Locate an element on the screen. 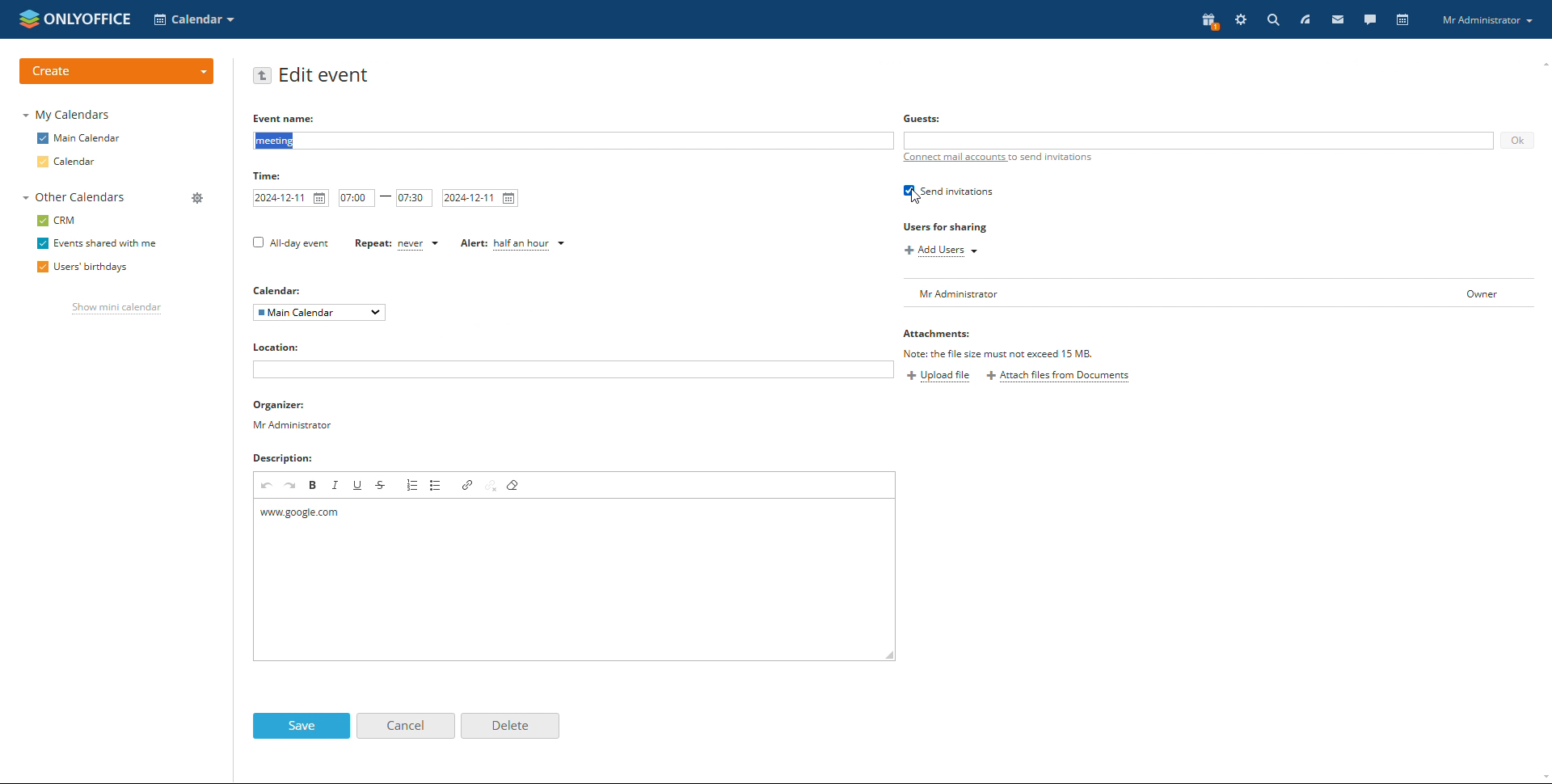  selct calendar is located at coordinates (194, 19).